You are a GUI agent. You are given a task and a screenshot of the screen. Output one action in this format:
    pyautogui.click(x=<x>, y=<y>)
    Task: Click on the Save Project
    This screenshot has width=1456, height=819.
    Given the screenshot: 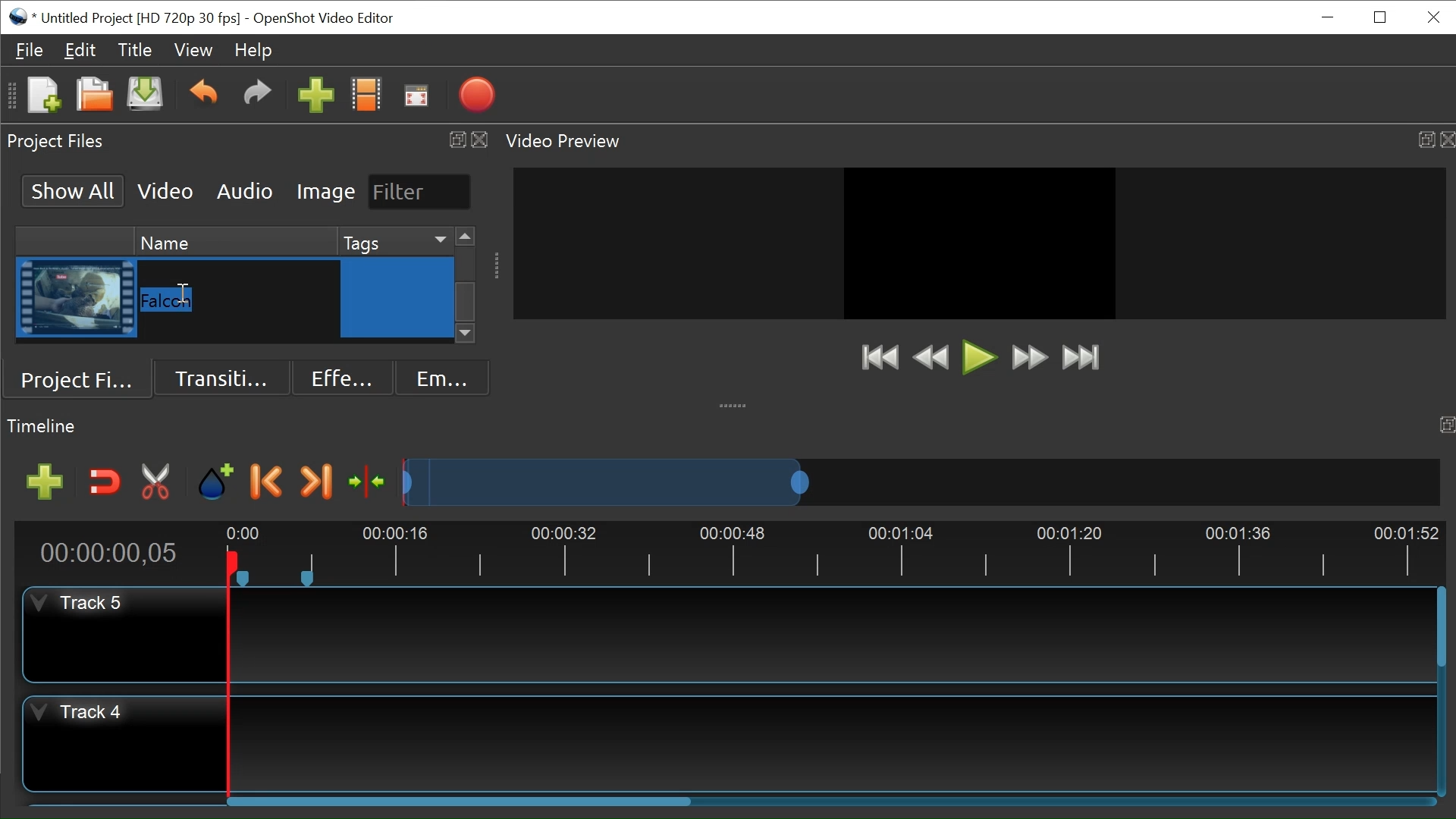 What is the action you would take?
    pyautogui.click(x=146, y=96)
    